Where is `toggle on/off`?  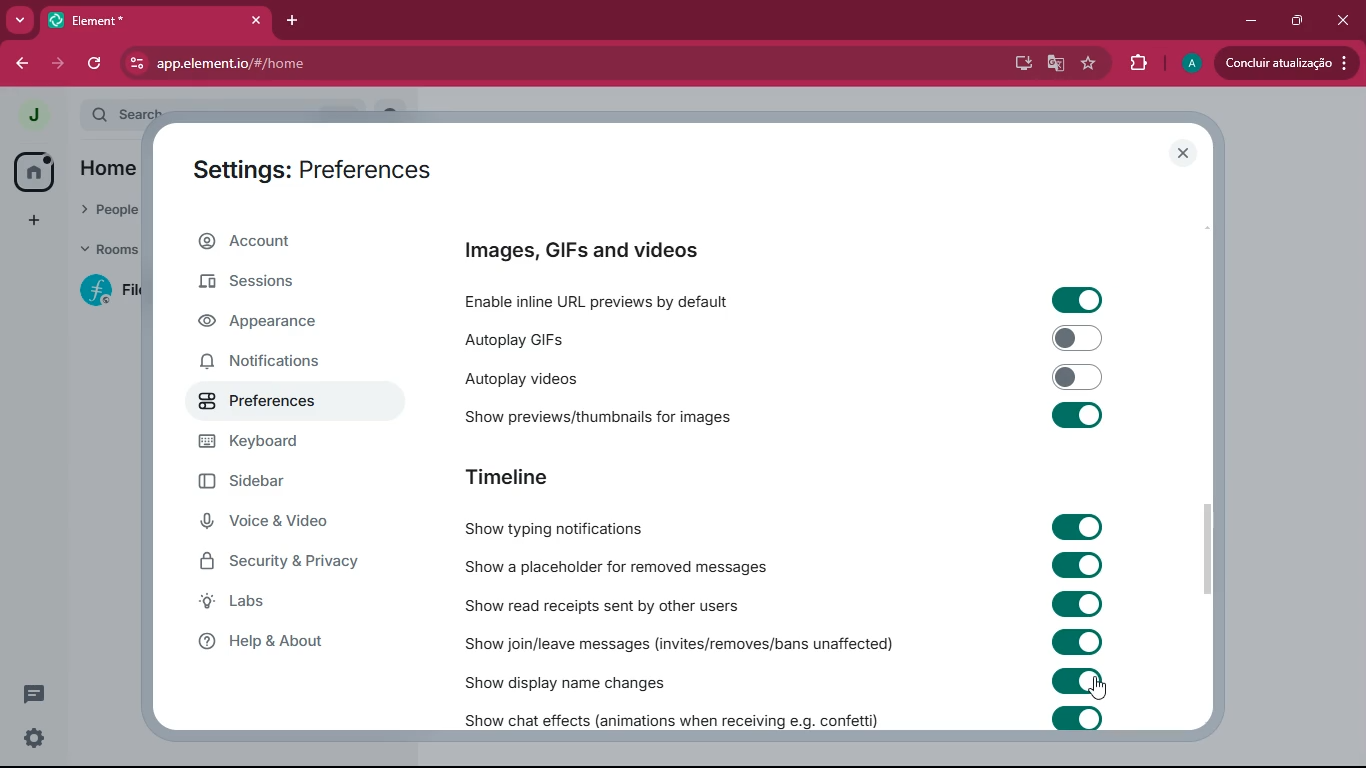 toggle on/off is located at coordinates (1078, 642).